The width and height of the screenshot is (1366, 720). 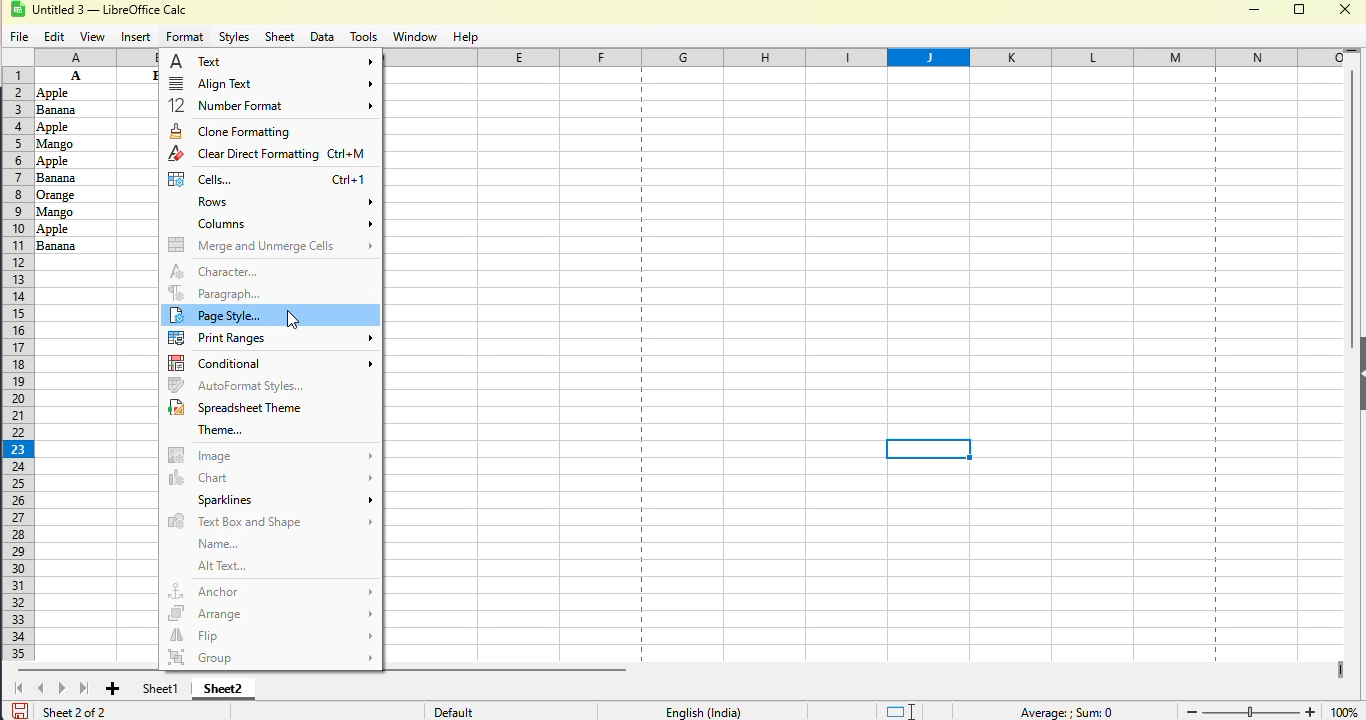 I want to click on , so click(x=74, y=245).